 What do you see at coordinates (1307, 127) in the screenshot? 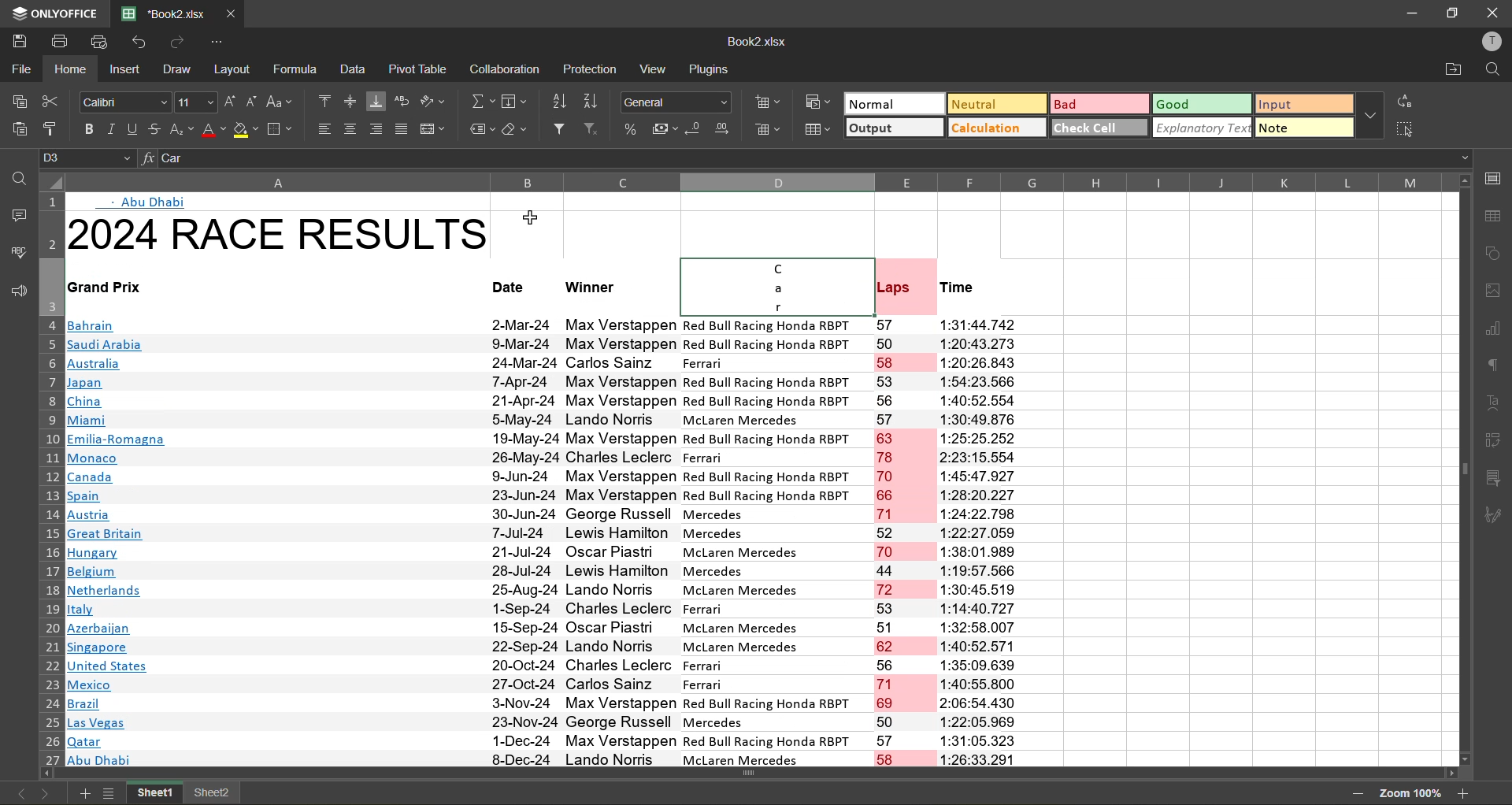
I see `note` at bounding box center [1307, 127].